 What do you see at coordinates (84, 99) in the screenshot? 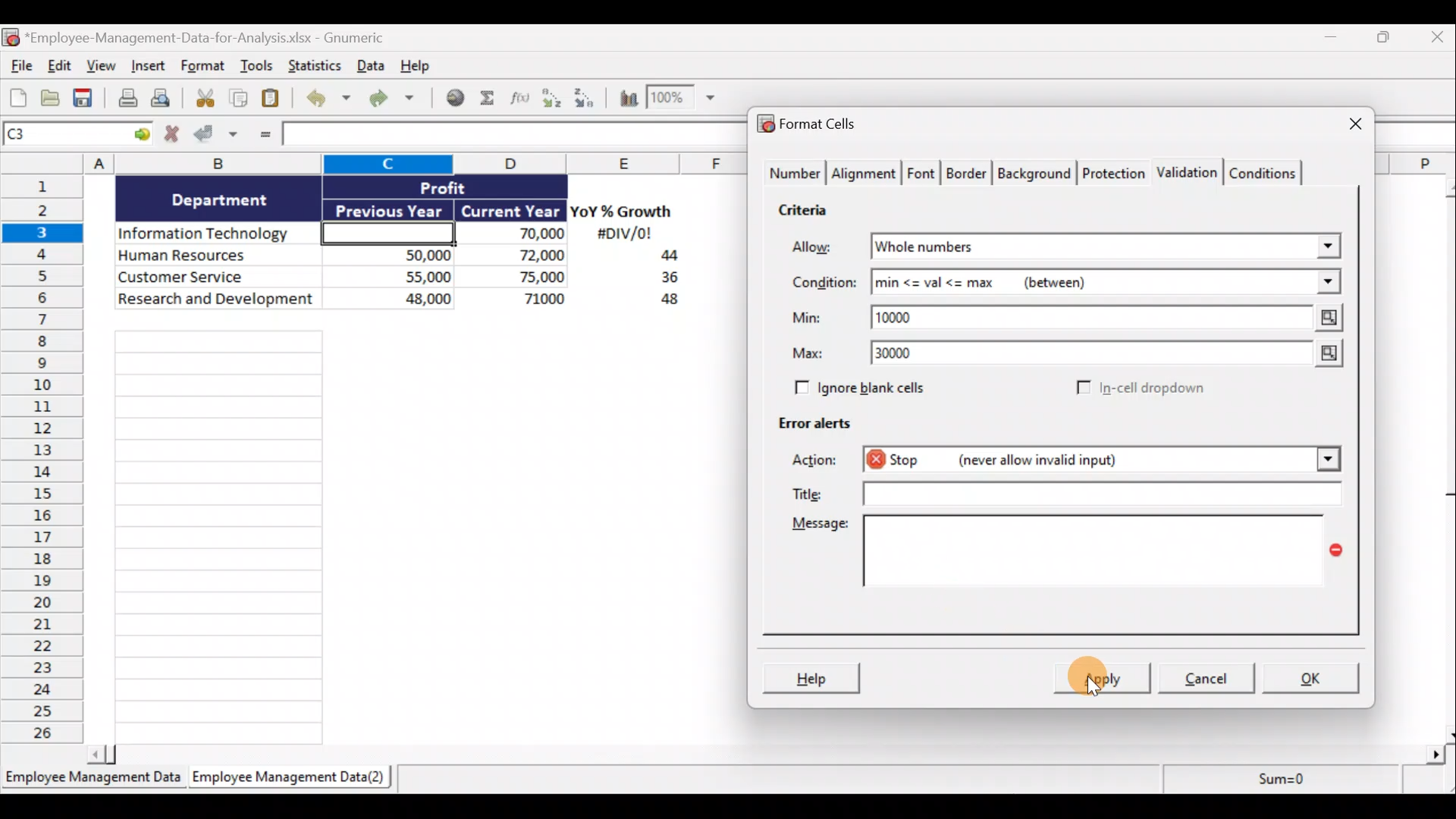
I see `Save current workbook` at bounding box center [84, 99].